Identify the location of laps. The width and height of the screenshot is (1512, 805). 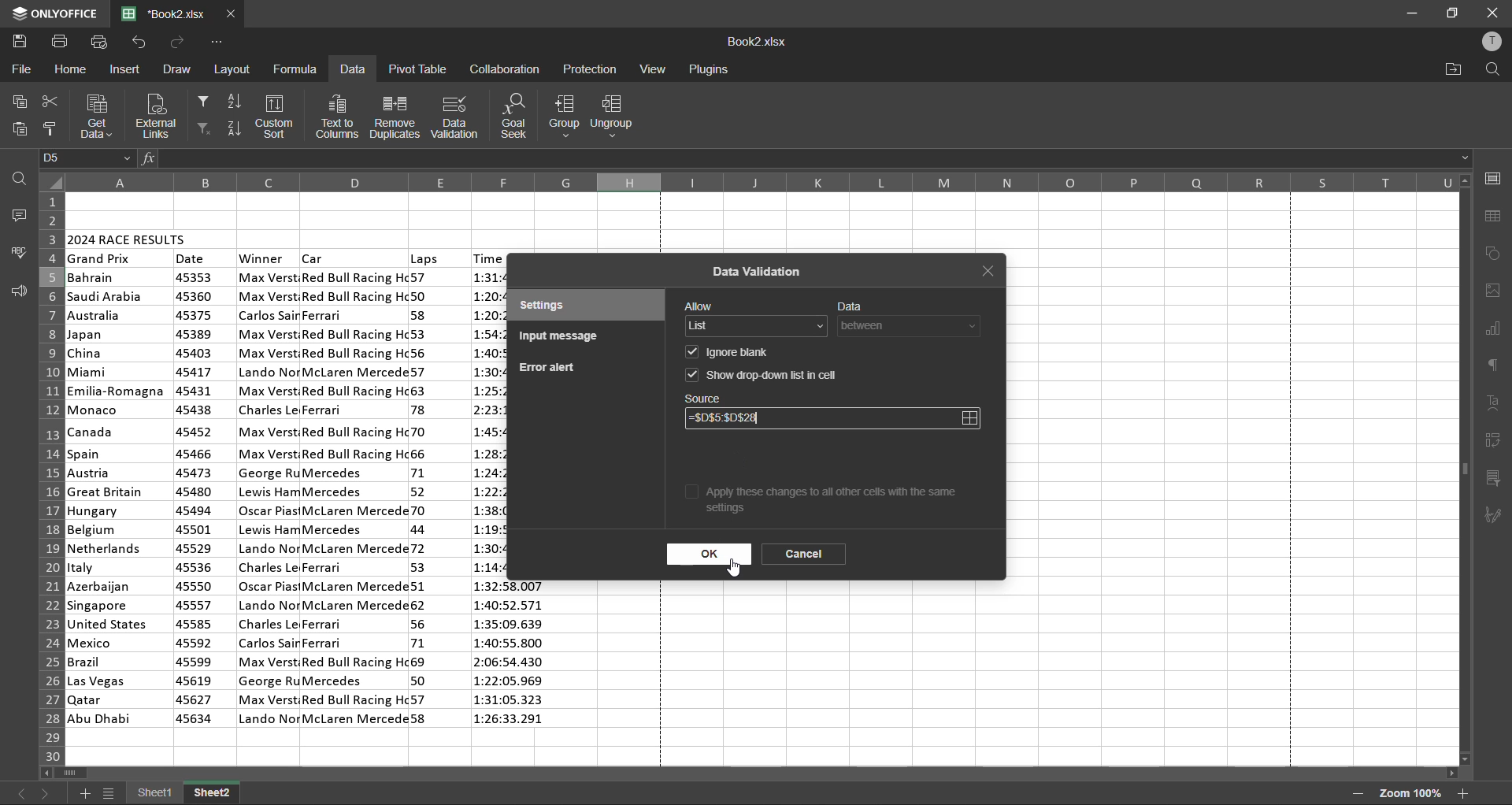
(422, 500).